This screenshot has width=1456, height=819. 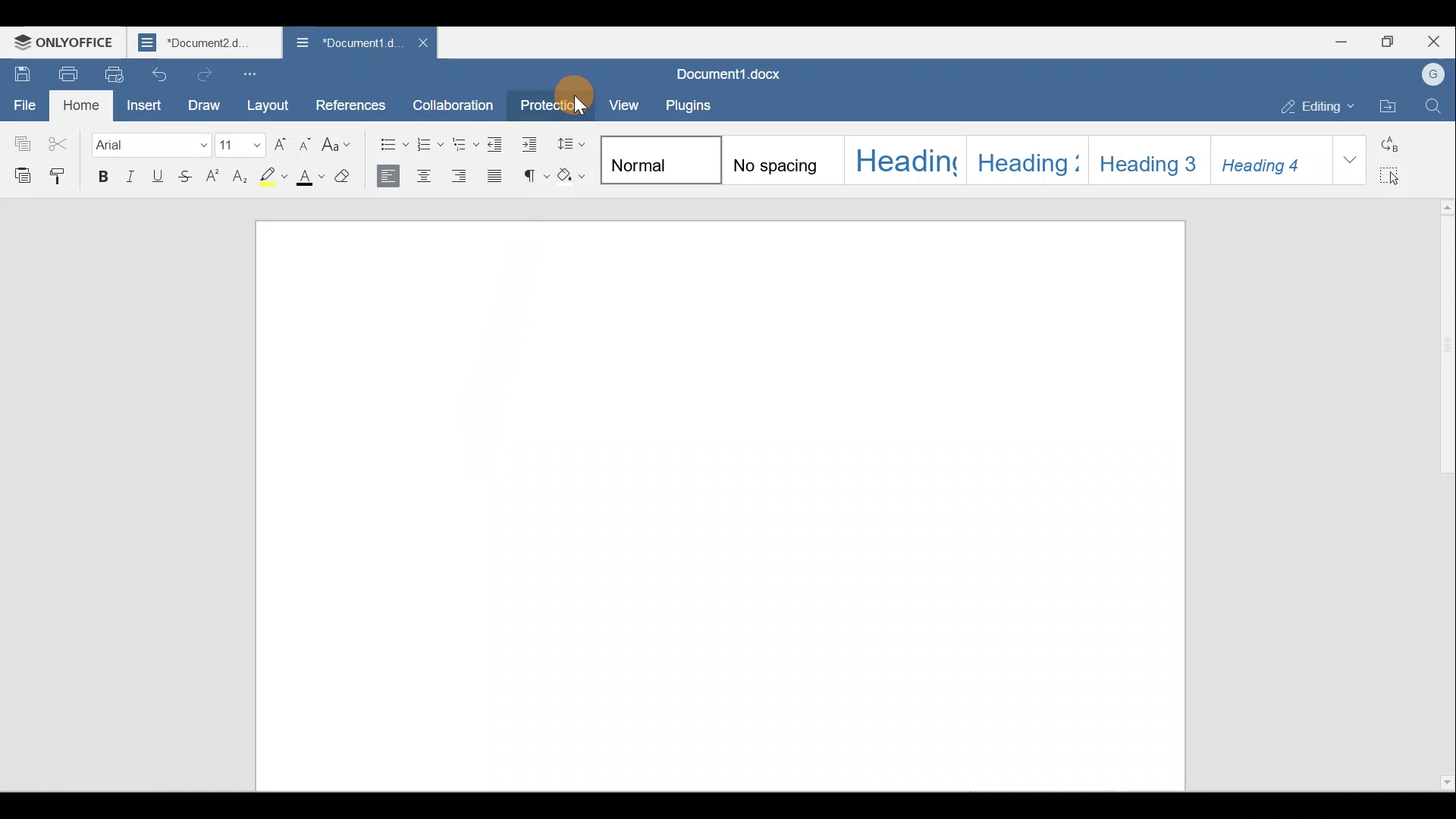 What do you see at coordinates (18, 171) in the screenshot?
I see `Paste` at bounding box center [18, 171].